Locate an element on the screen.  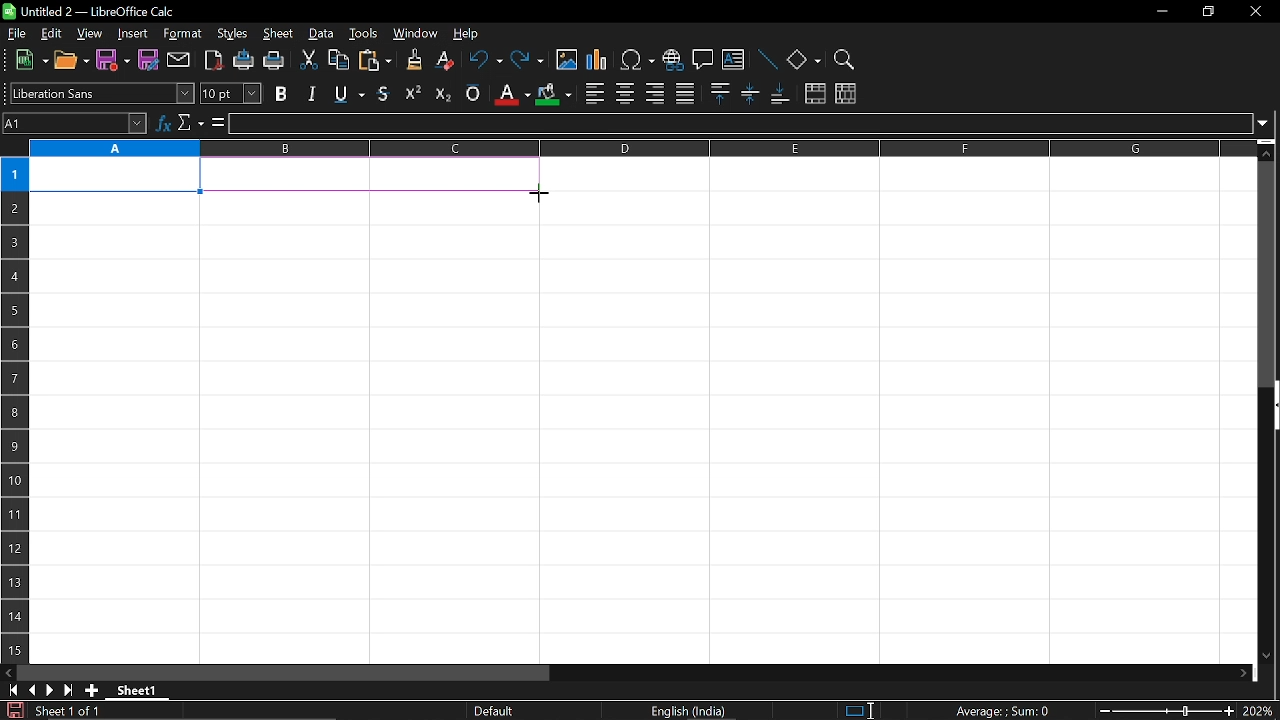
formula is located at coordinates (216, 123).